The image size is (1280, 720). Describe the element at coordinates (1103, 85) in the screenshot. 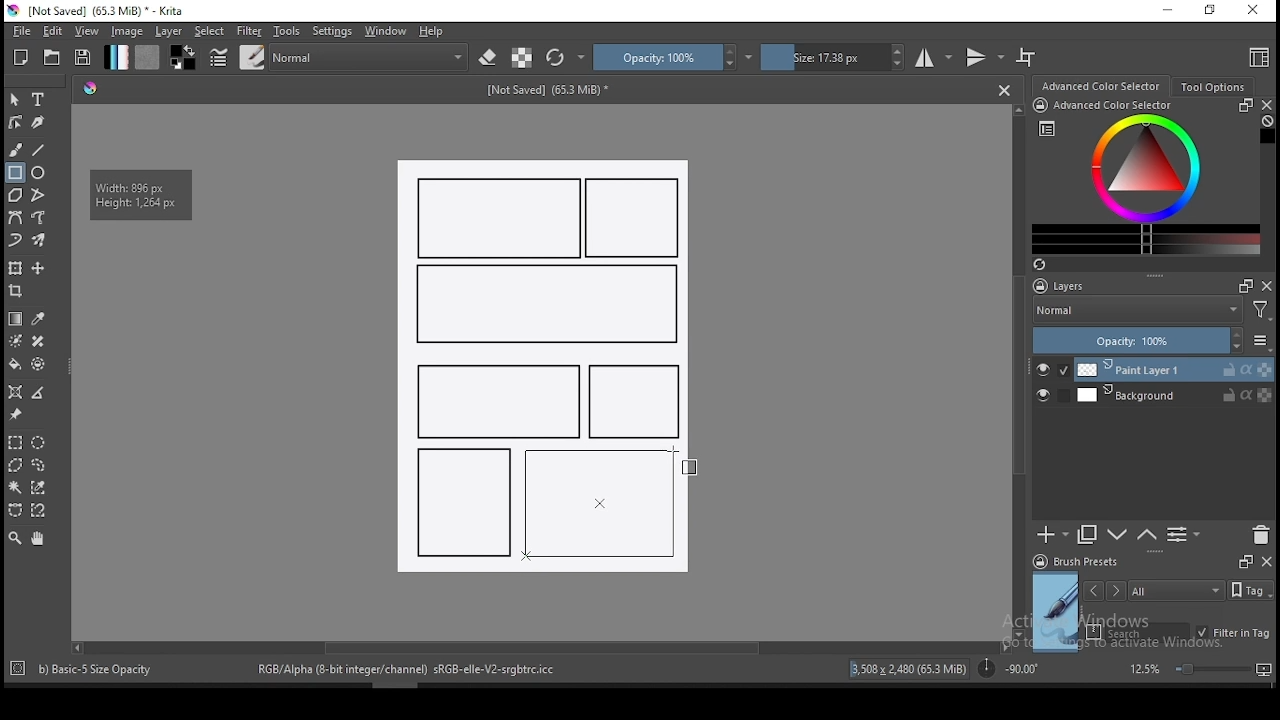

I see `advance color selector` at that location.